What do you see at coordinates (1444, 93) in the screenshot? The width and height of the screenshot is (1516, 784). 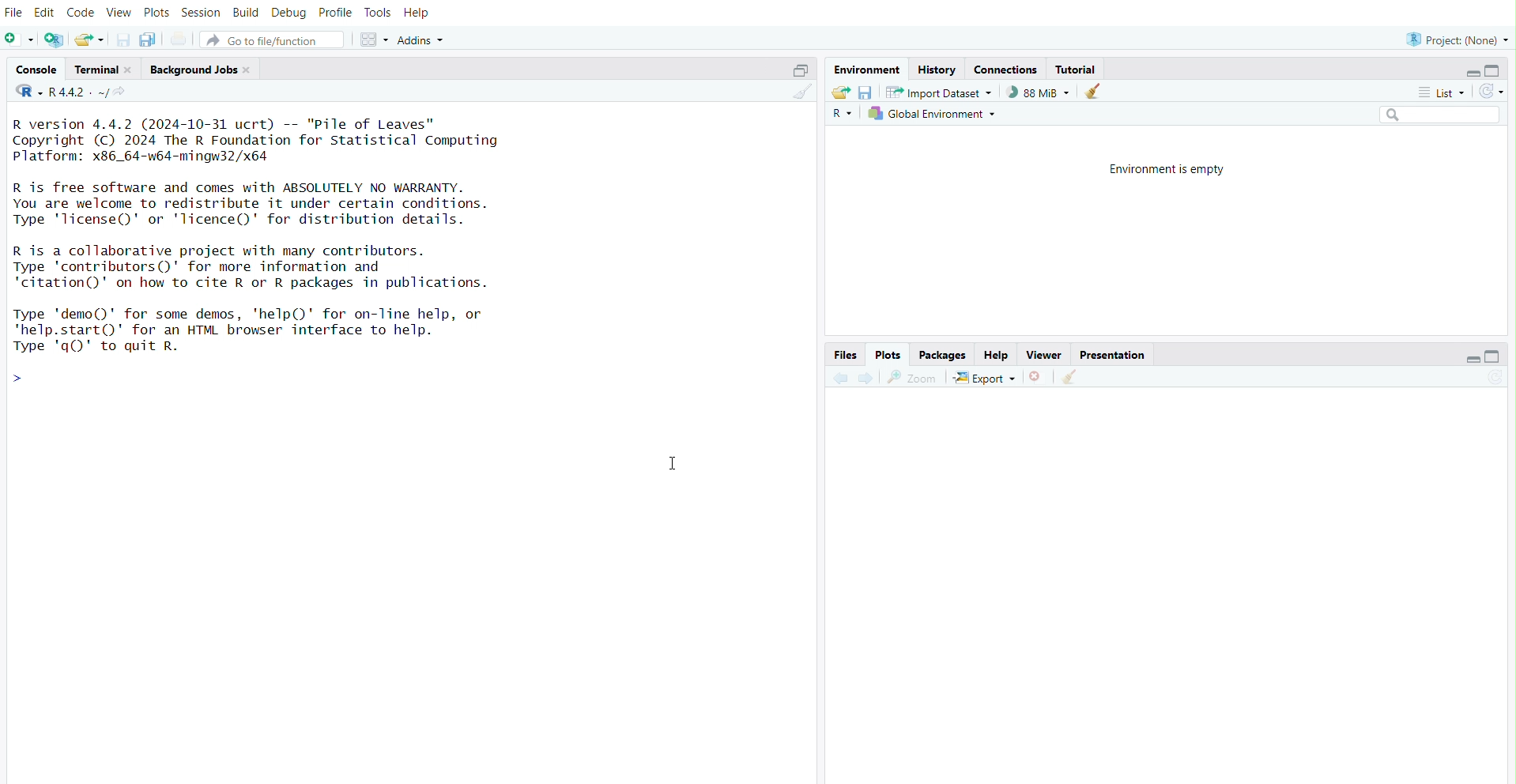 I see `list` at bounding box center [1444, 93].